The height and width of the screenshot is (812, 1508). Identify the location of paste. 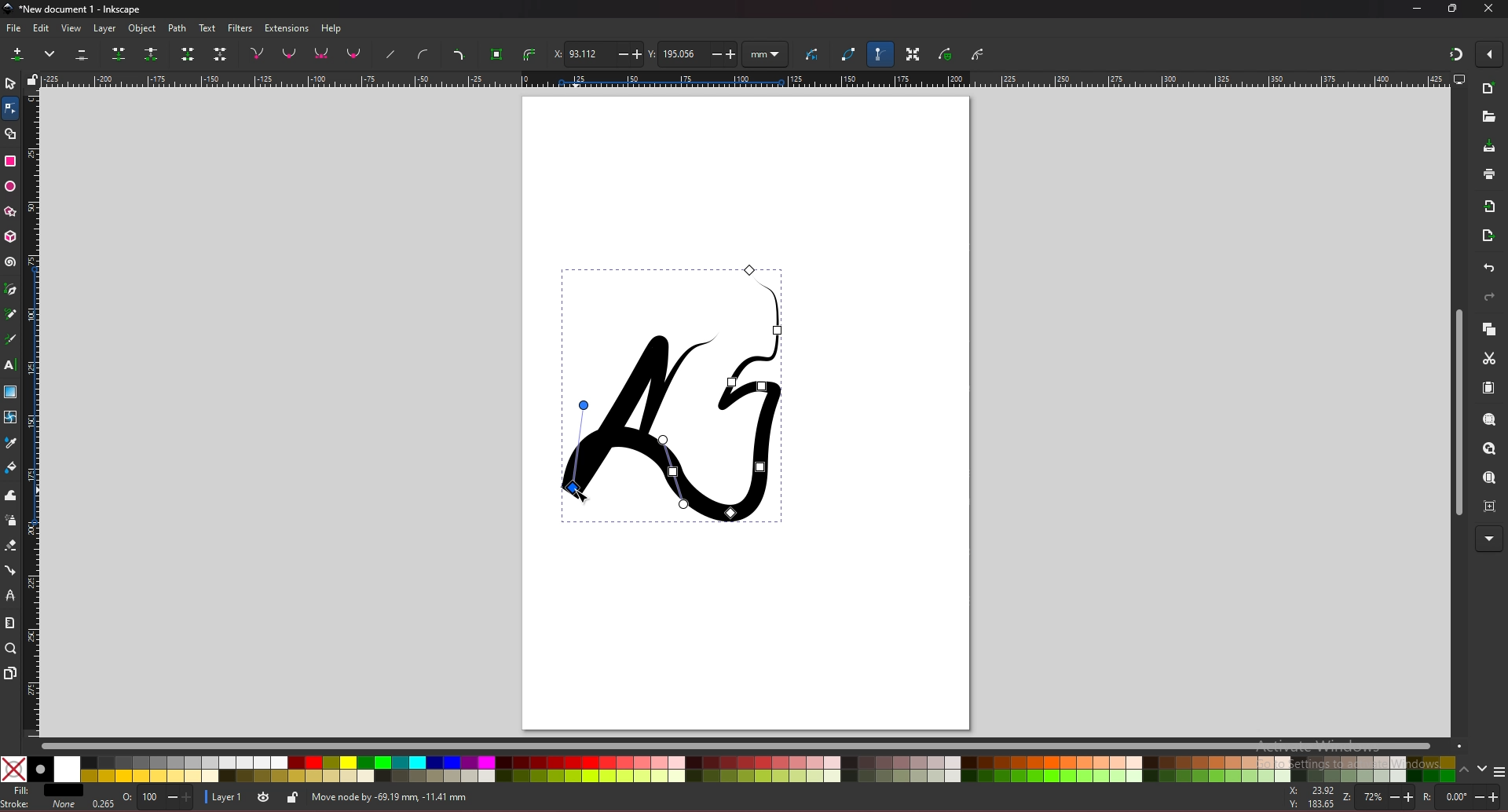
(1488, 388).